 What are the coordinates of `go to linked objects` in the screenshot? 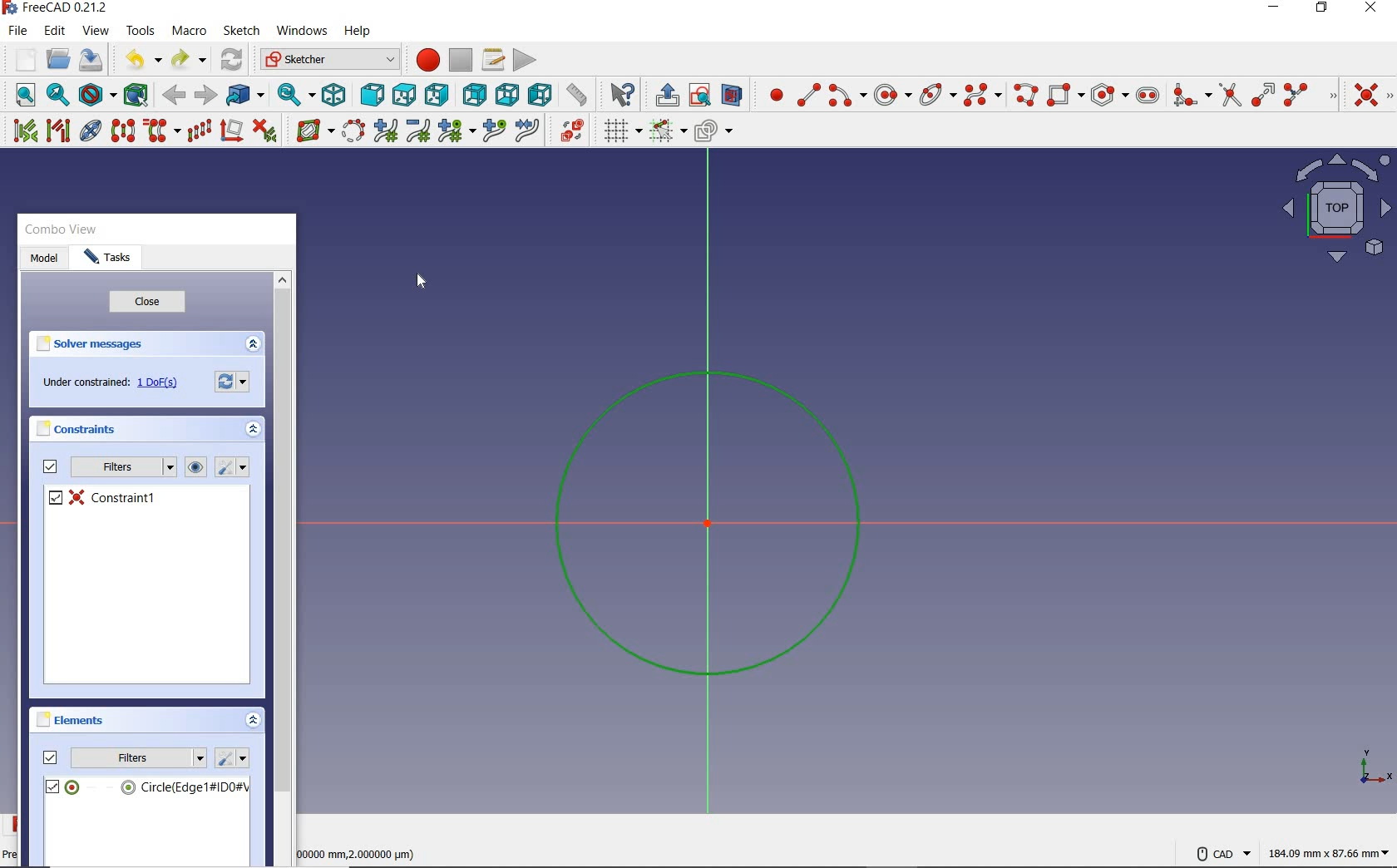 It's located at (244, 96).